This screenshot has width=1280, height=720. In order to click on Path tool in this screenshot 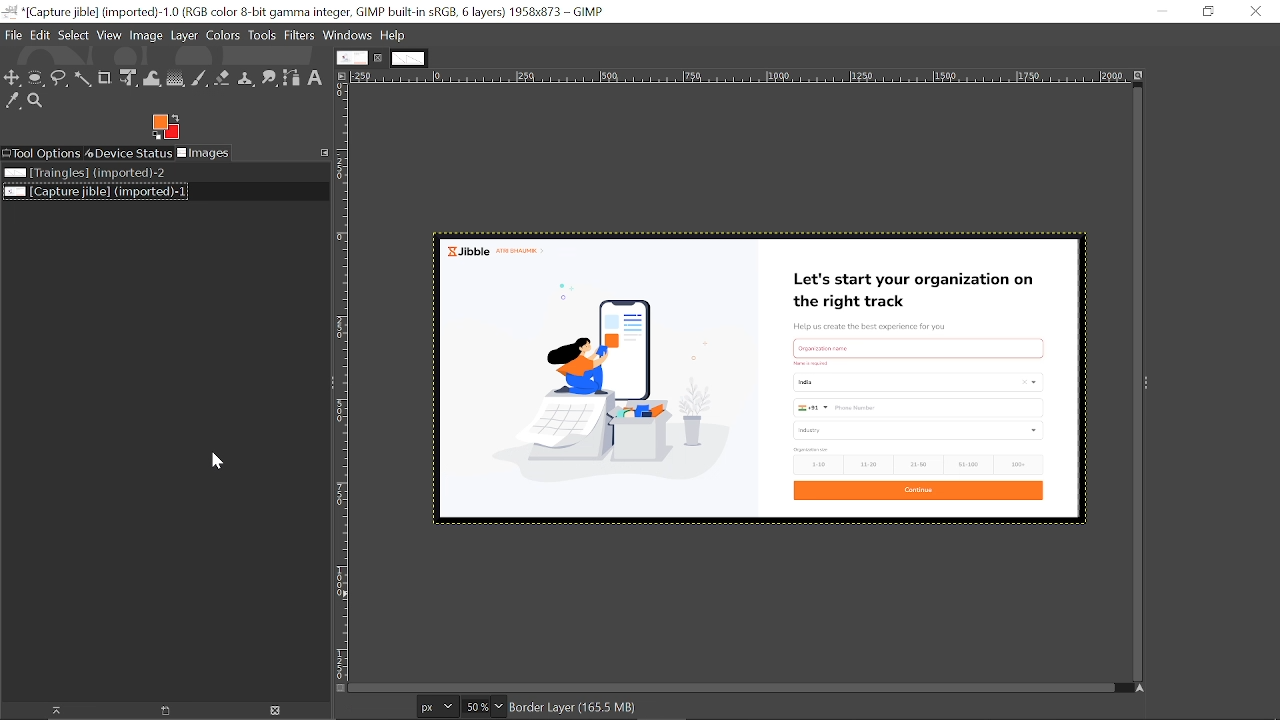, I will do `click(291, 77)`.